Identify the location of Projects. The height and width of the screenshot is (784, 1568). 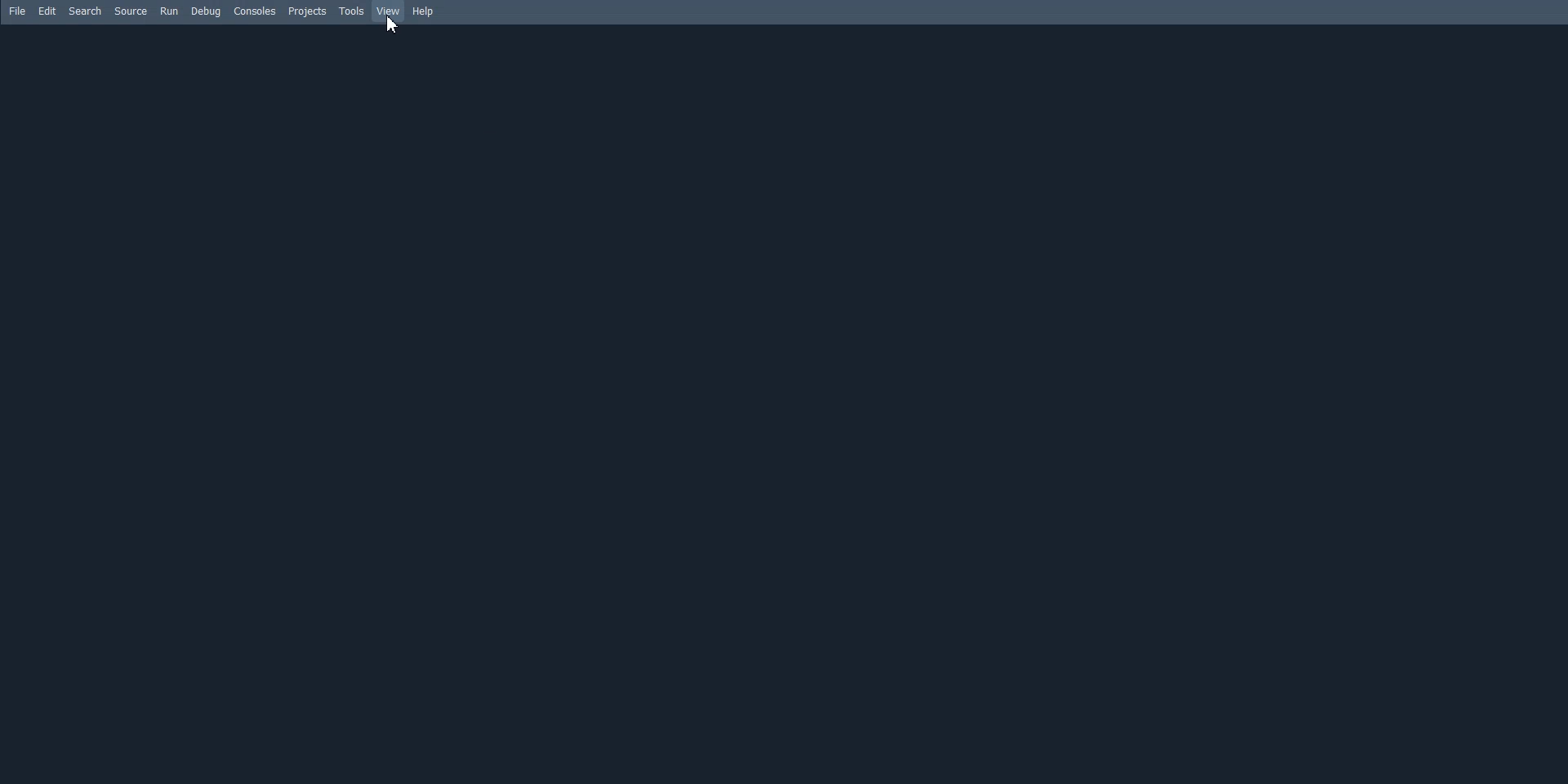
(308, 11).